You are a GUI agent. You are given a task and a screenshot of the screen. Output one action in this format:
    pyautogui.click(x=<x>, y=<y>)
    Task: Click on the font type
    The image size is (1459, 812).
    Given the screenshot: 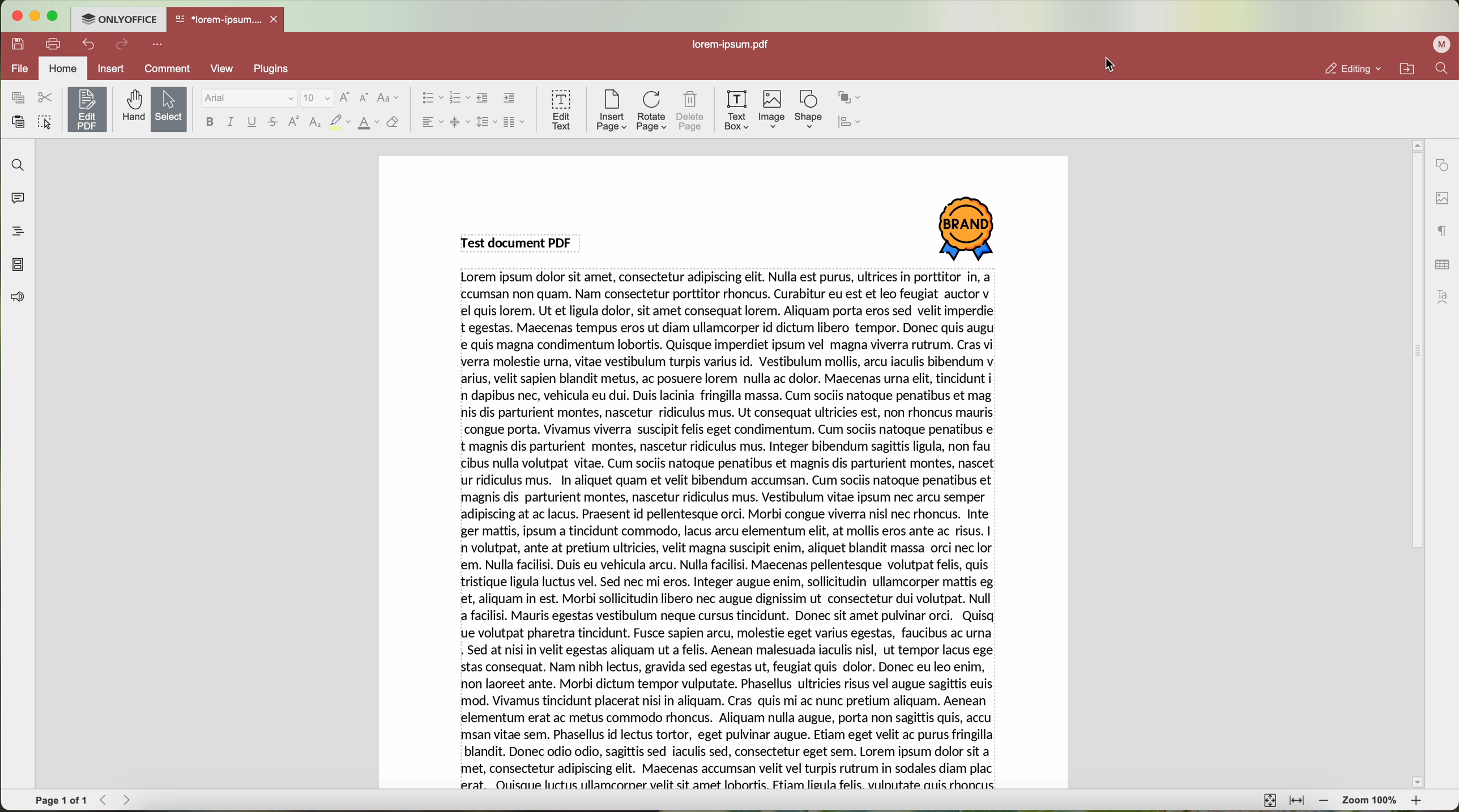 What is the action you would take?
    pyautogui.click(x=248, y=99)
    